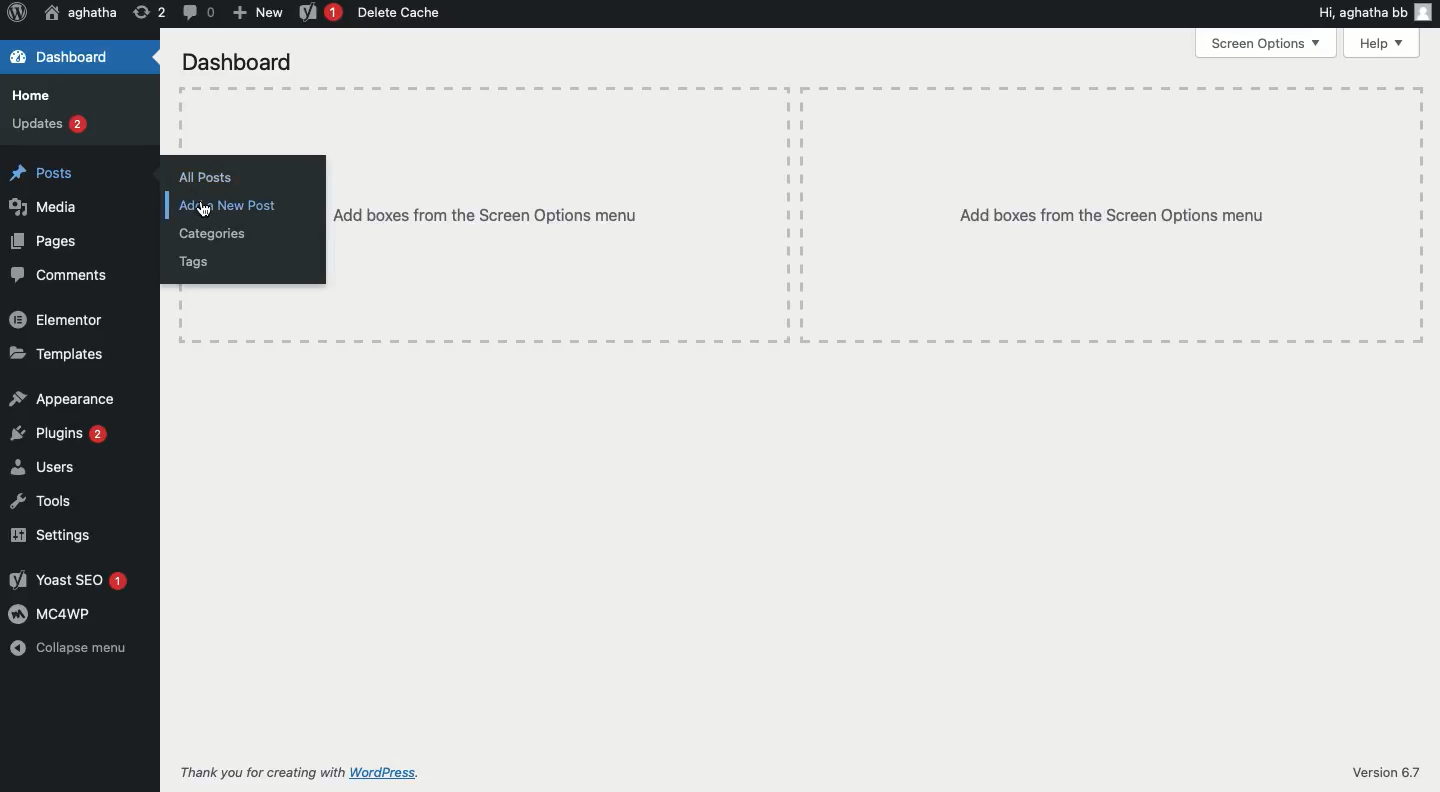  I want to click on Tags, so click(194, 263).